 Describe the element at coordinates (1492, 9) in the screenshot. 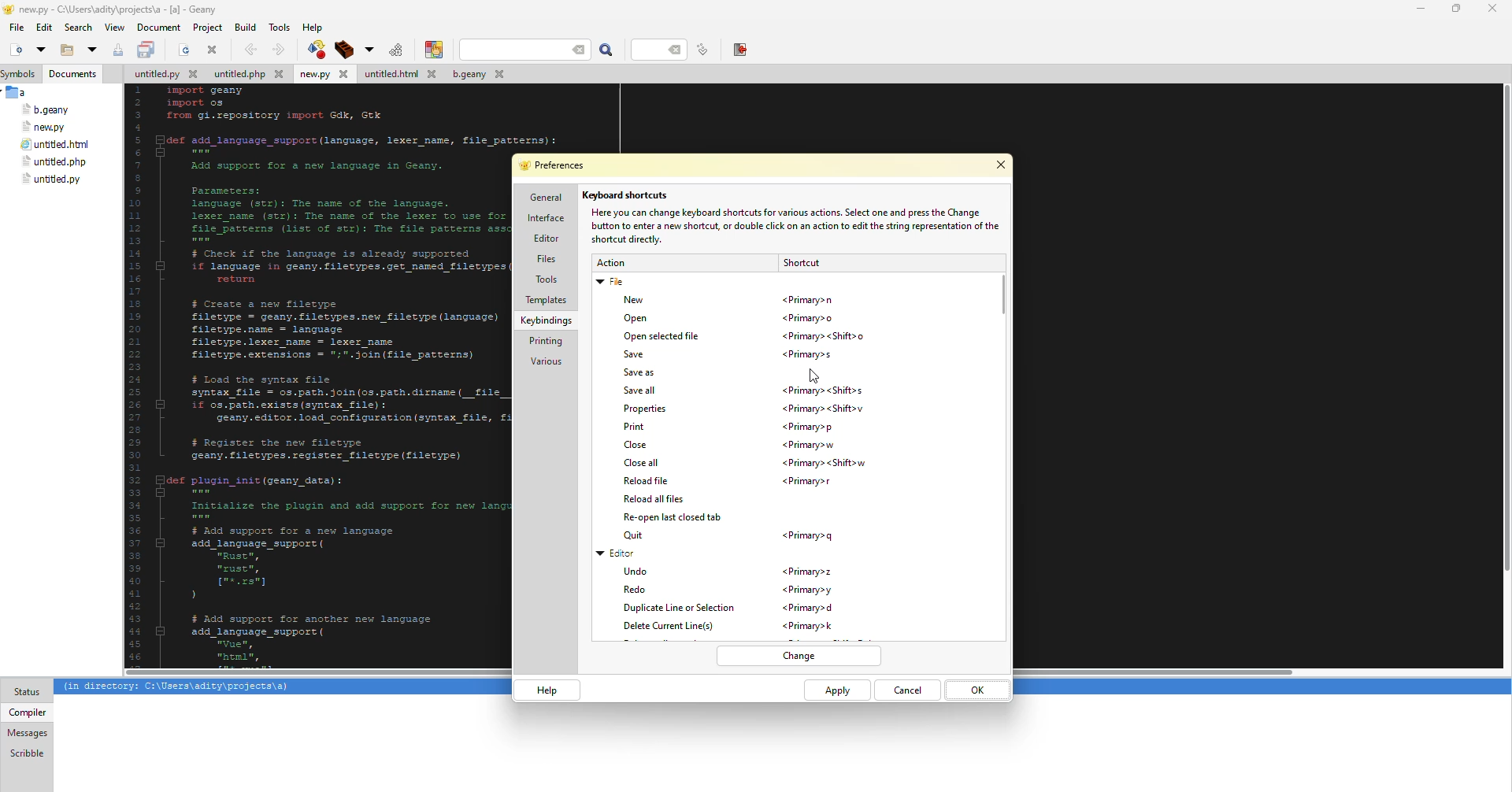

I see `close` at that location.